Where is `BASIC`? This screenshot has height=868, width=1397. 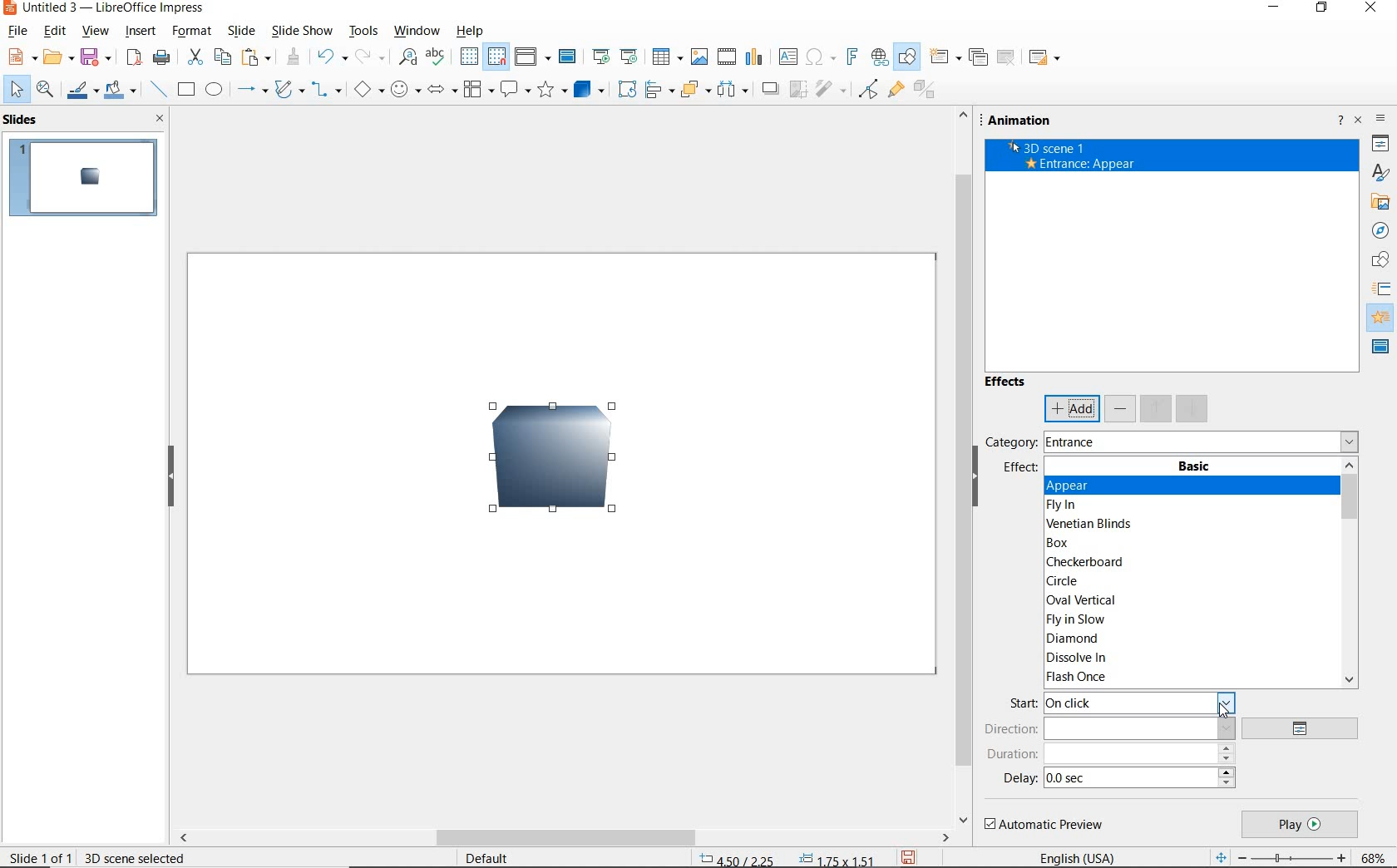
BASIC is located at coordinates (1195, 466).